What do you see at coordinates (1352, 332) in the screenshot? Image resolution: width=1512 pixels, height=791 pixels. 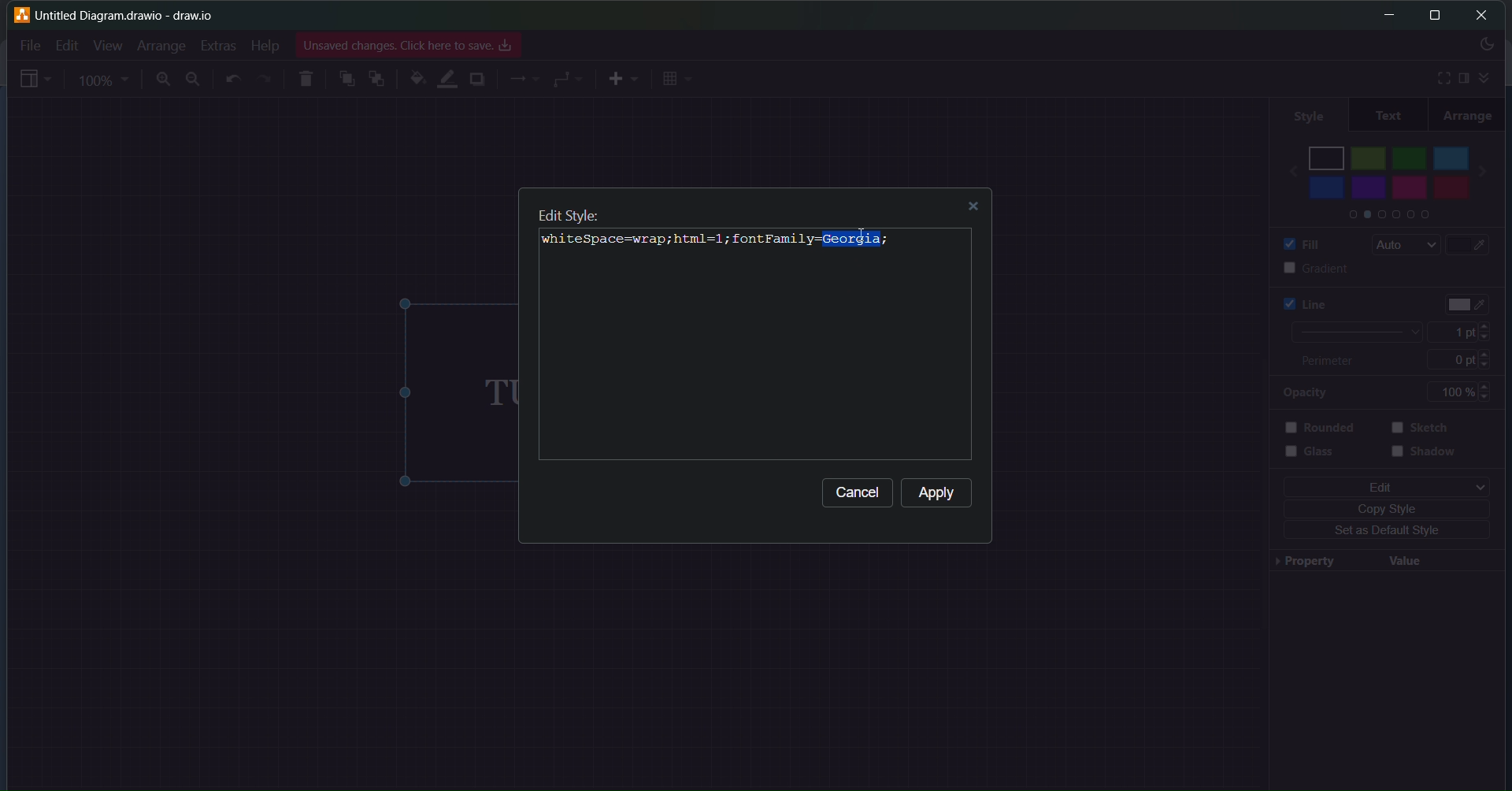 I see `current line` at bounding box center [1352, 332].